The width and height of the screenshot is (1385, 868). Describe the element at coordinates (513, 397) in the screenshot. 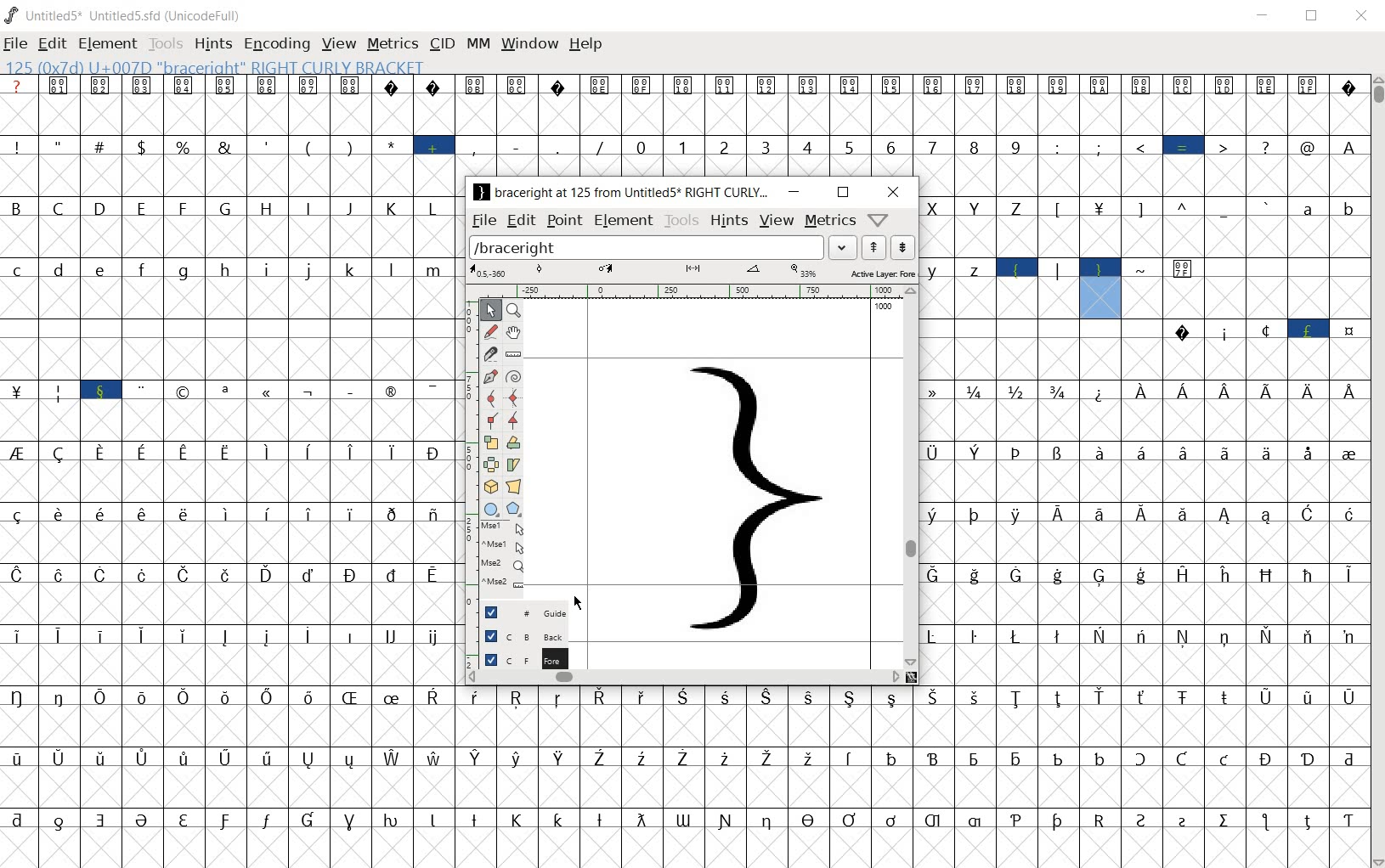

I see `add a curve point always either horizontal or vertical` at that location.